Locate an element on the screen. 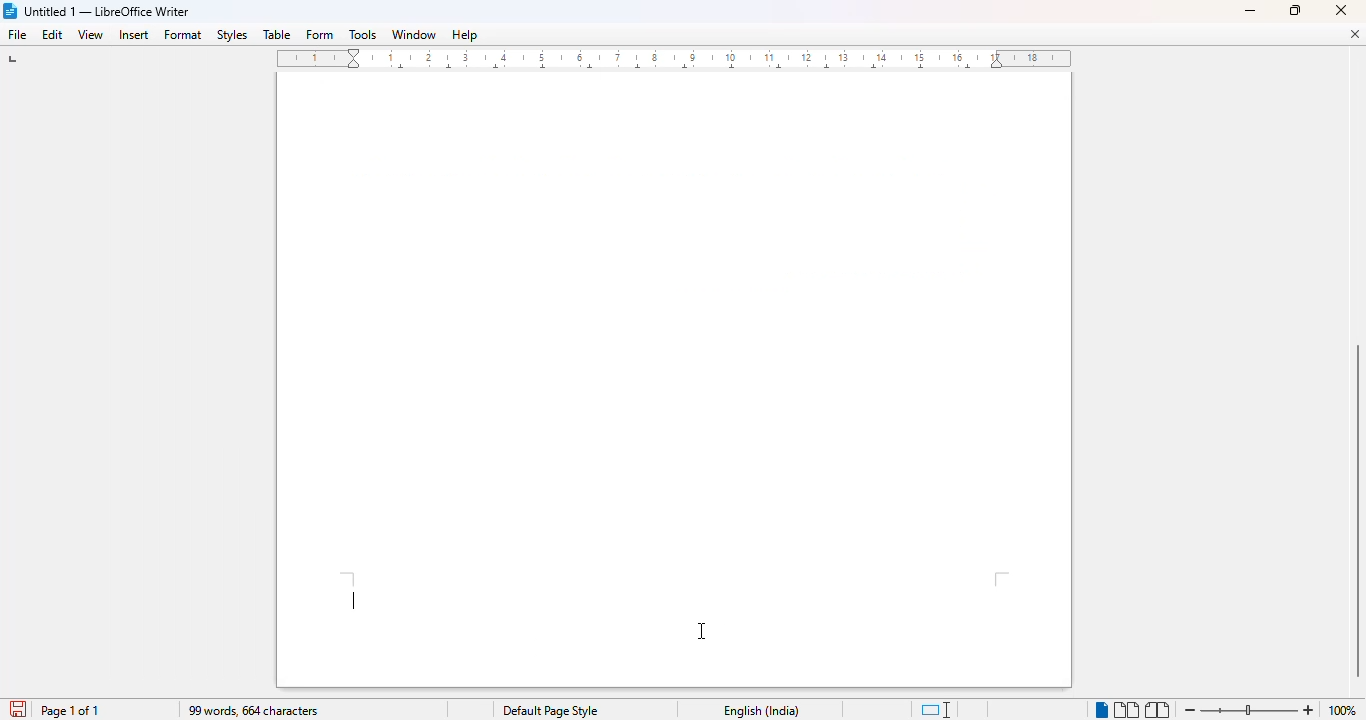 This screenshot has width=1366, height=720. 100% (zoom level) is located at coordinates (1343, 710).